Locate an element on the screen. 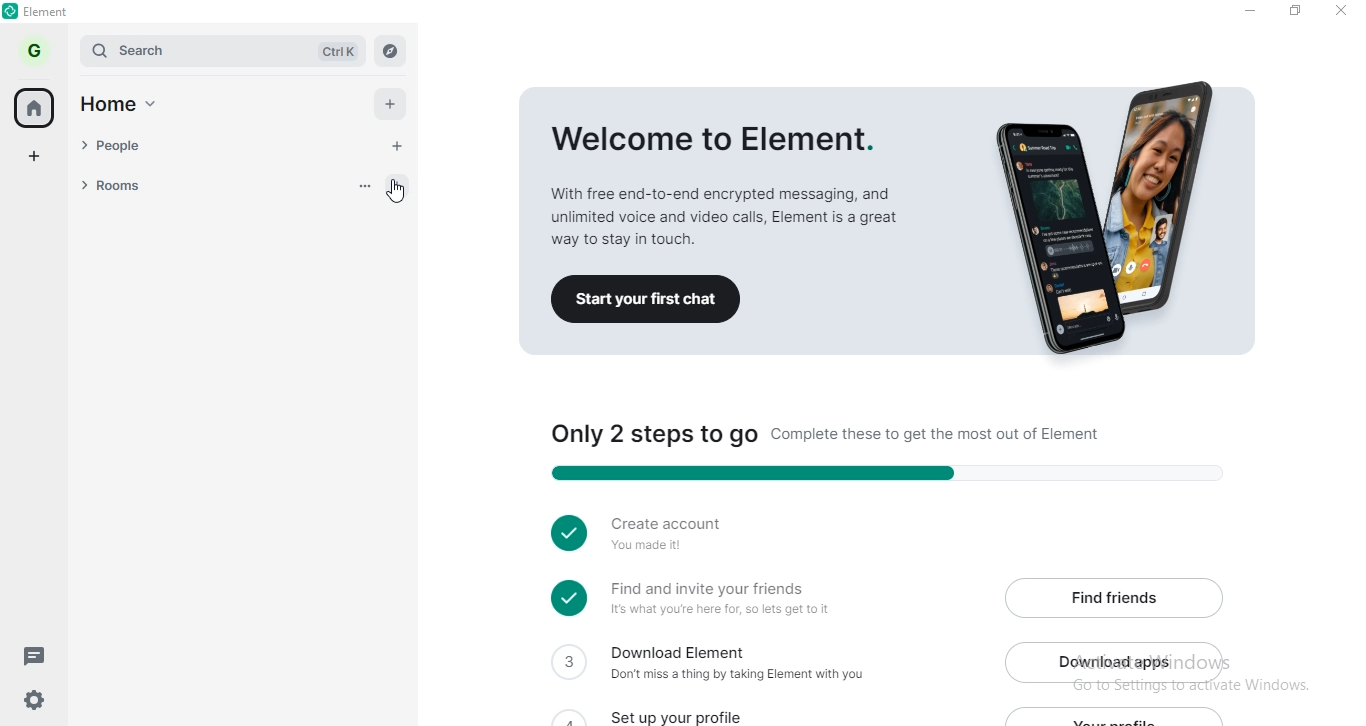 This screenshot has height=726, width=1366. close is located at coordinates (1344, 13).